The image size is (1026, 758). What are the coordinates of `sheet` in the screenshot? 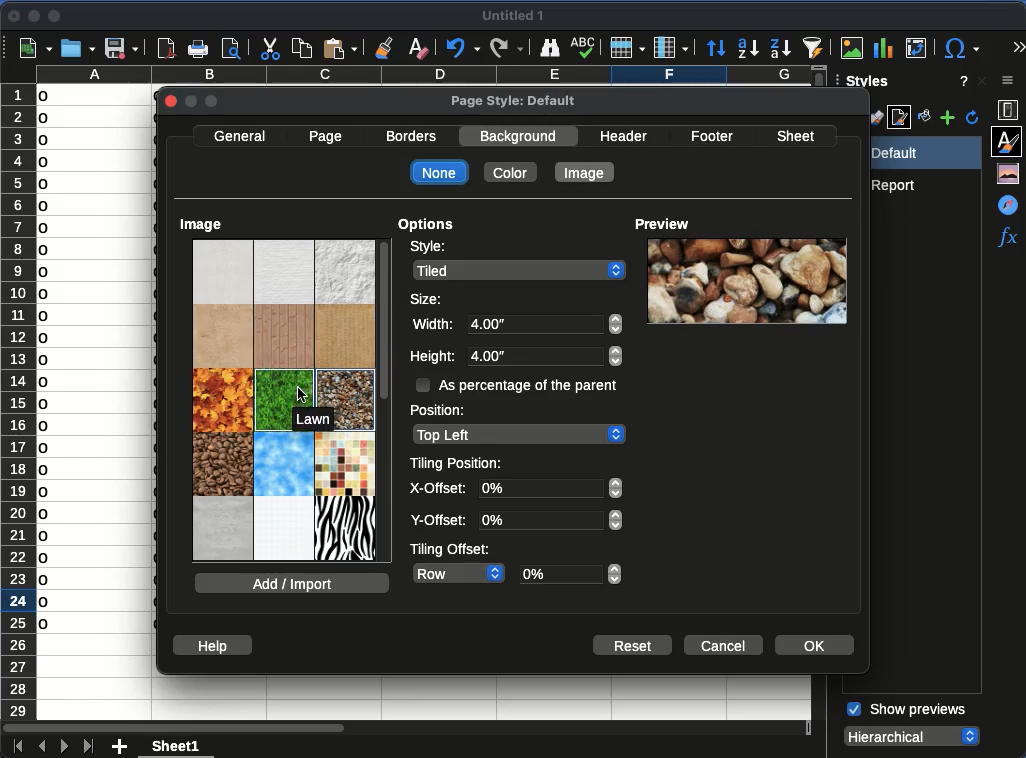 It's located at (799, 134).